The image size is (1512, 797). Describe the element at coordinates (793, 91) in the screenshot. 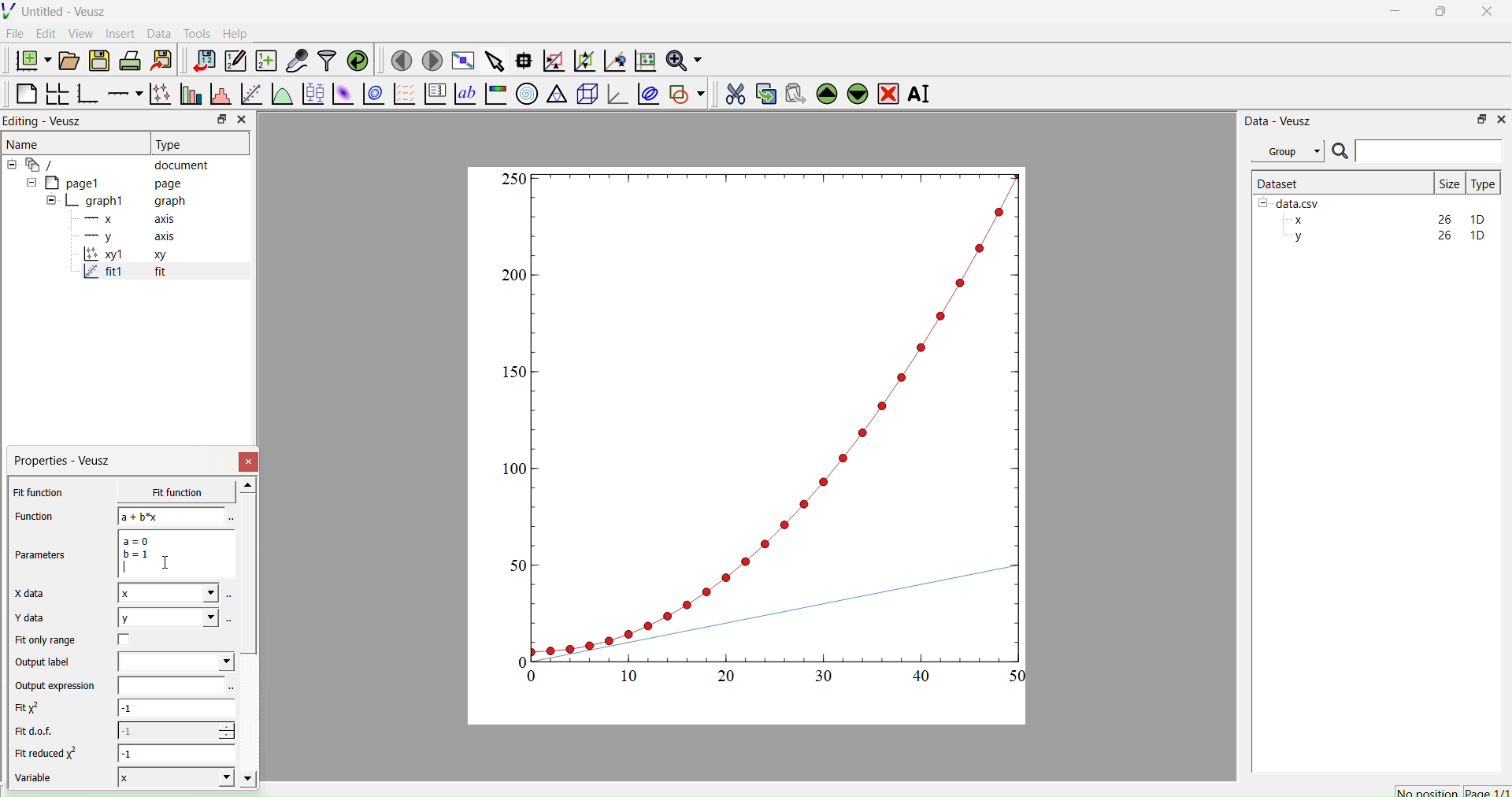

I see `Paste` at that location.